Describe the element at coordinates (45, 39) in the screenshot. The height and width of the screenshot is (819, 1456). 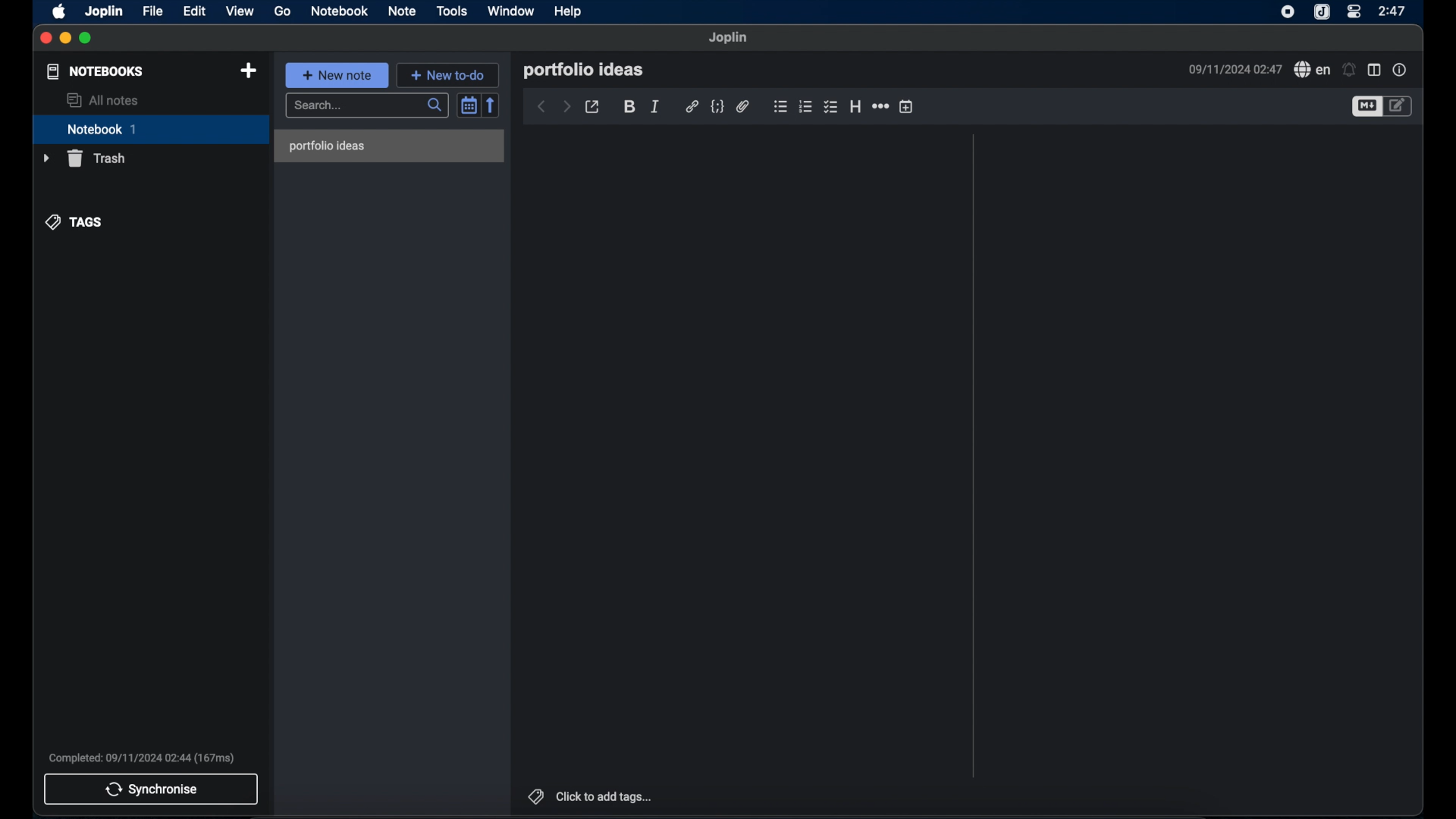
I see `close` at that location.